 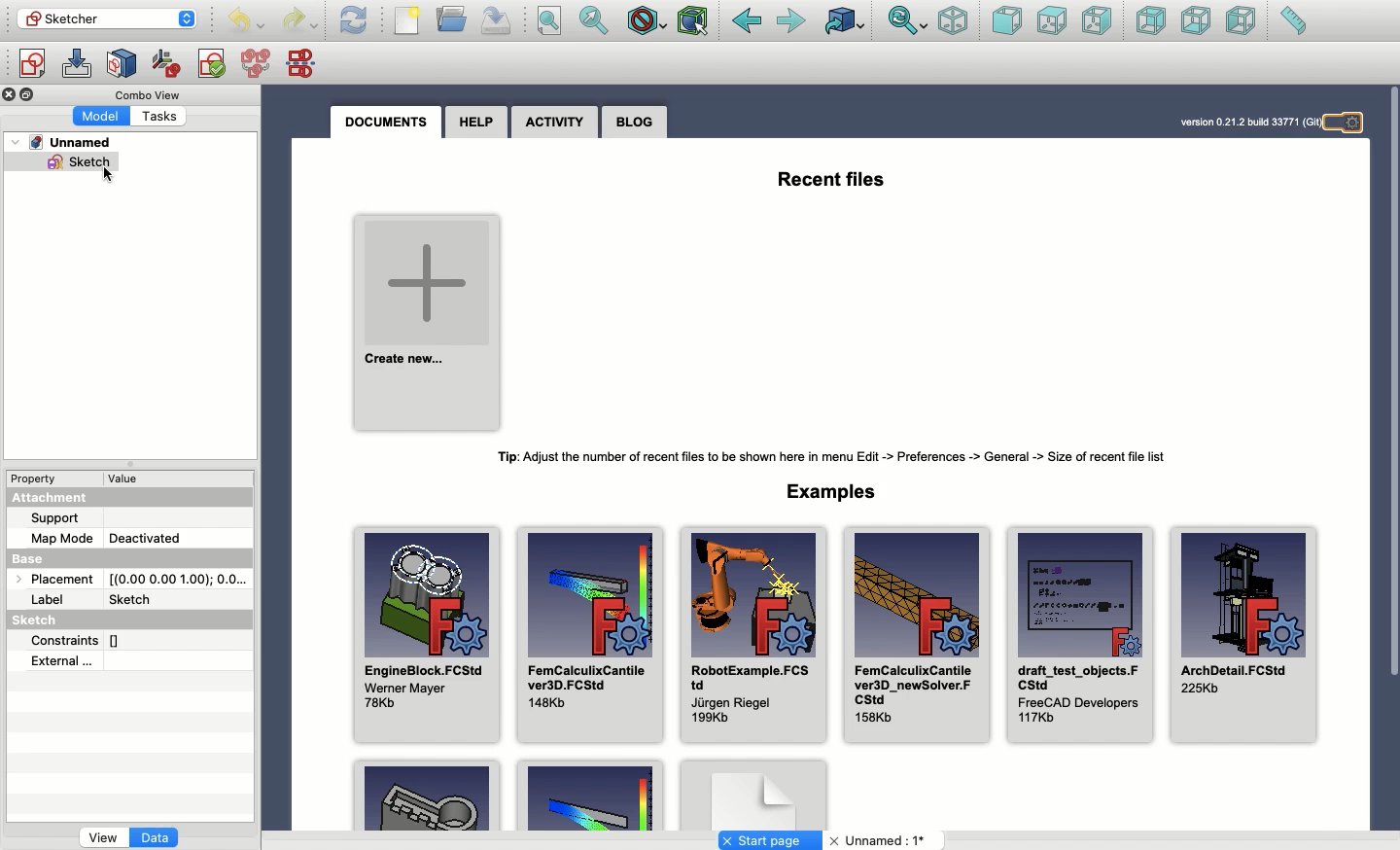 What do you see at coordinates (107, 173) in the screenshot?
I see `Right click (pointer)` at bounding box center [107, 173].